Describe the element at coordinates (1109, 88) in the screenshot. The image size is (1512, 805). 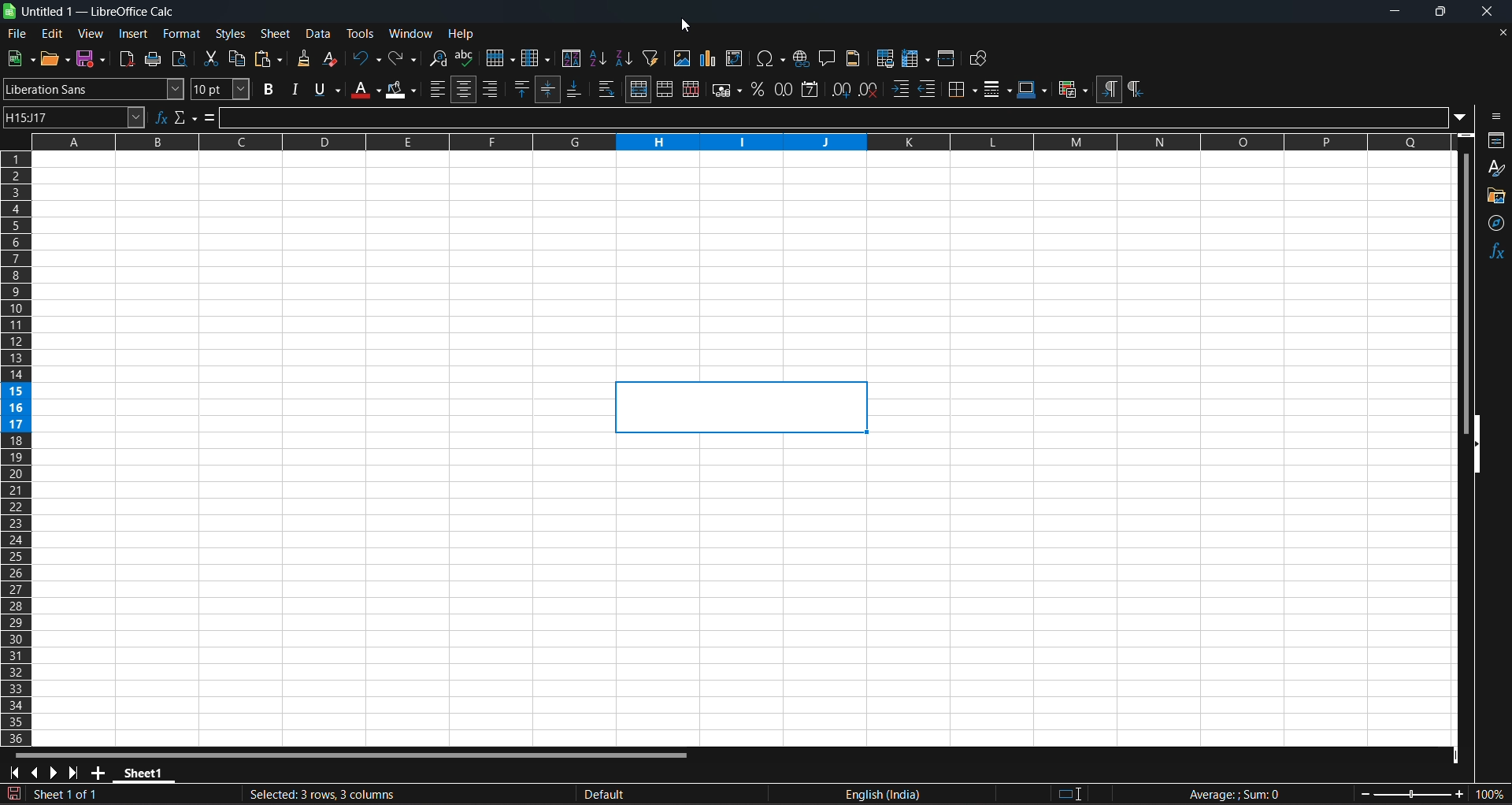
I see `left to right` at that location.